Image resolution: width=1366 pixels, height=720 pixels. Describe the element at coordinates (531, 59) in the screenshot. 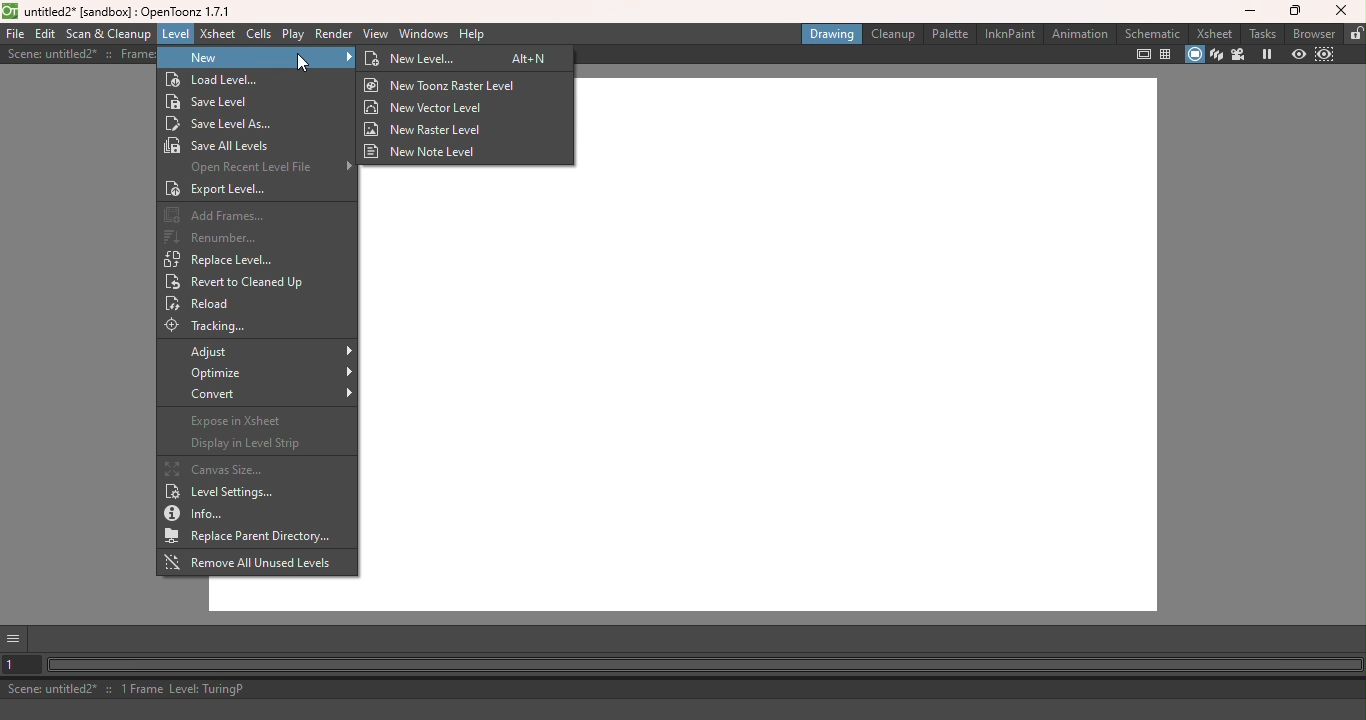

I see `Alt+N` at that location.